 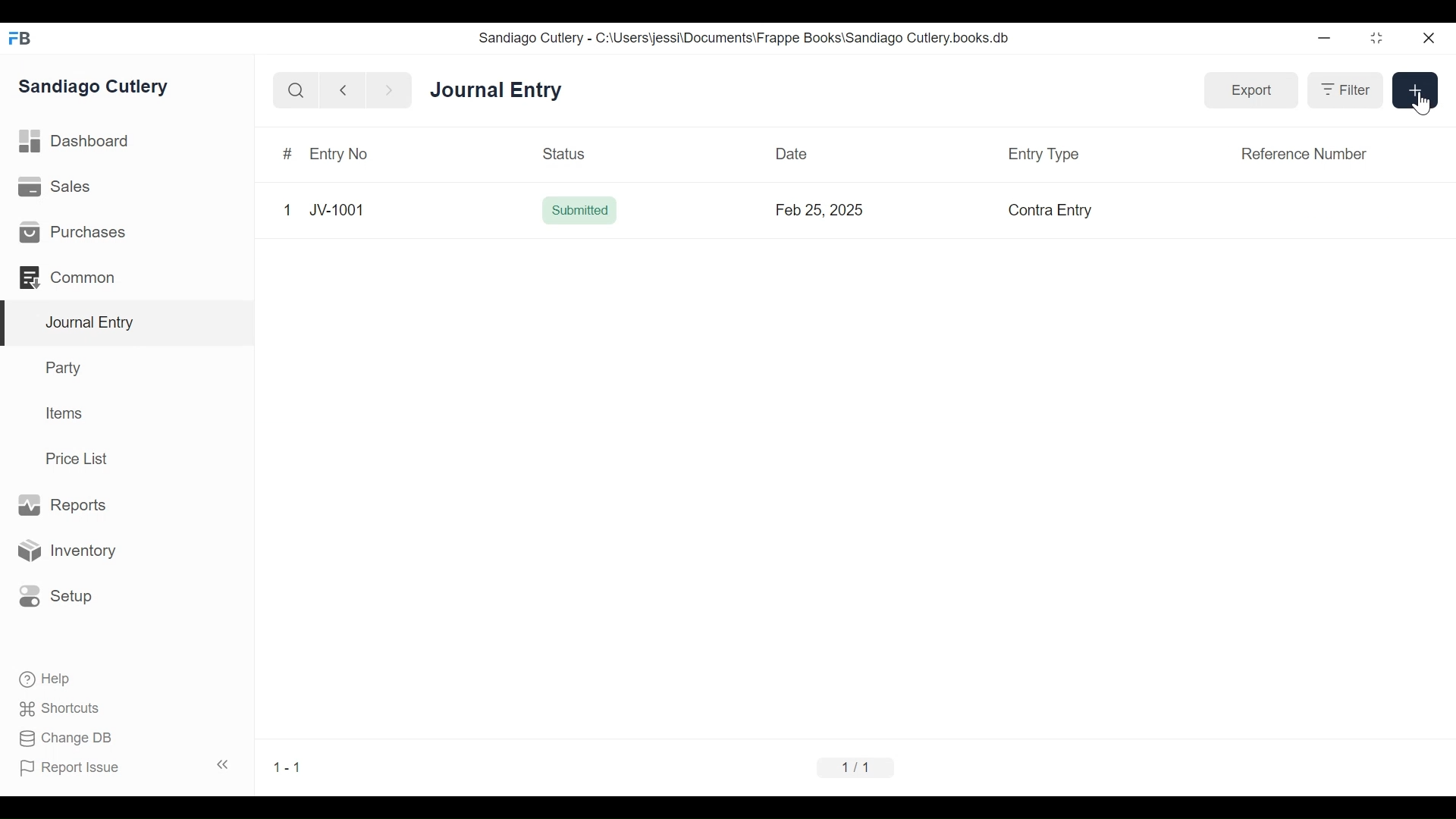 What do you see at coordinates (499, 92) in the screenshot?
I see `Journal Entry` at bounding box center [499, 92].